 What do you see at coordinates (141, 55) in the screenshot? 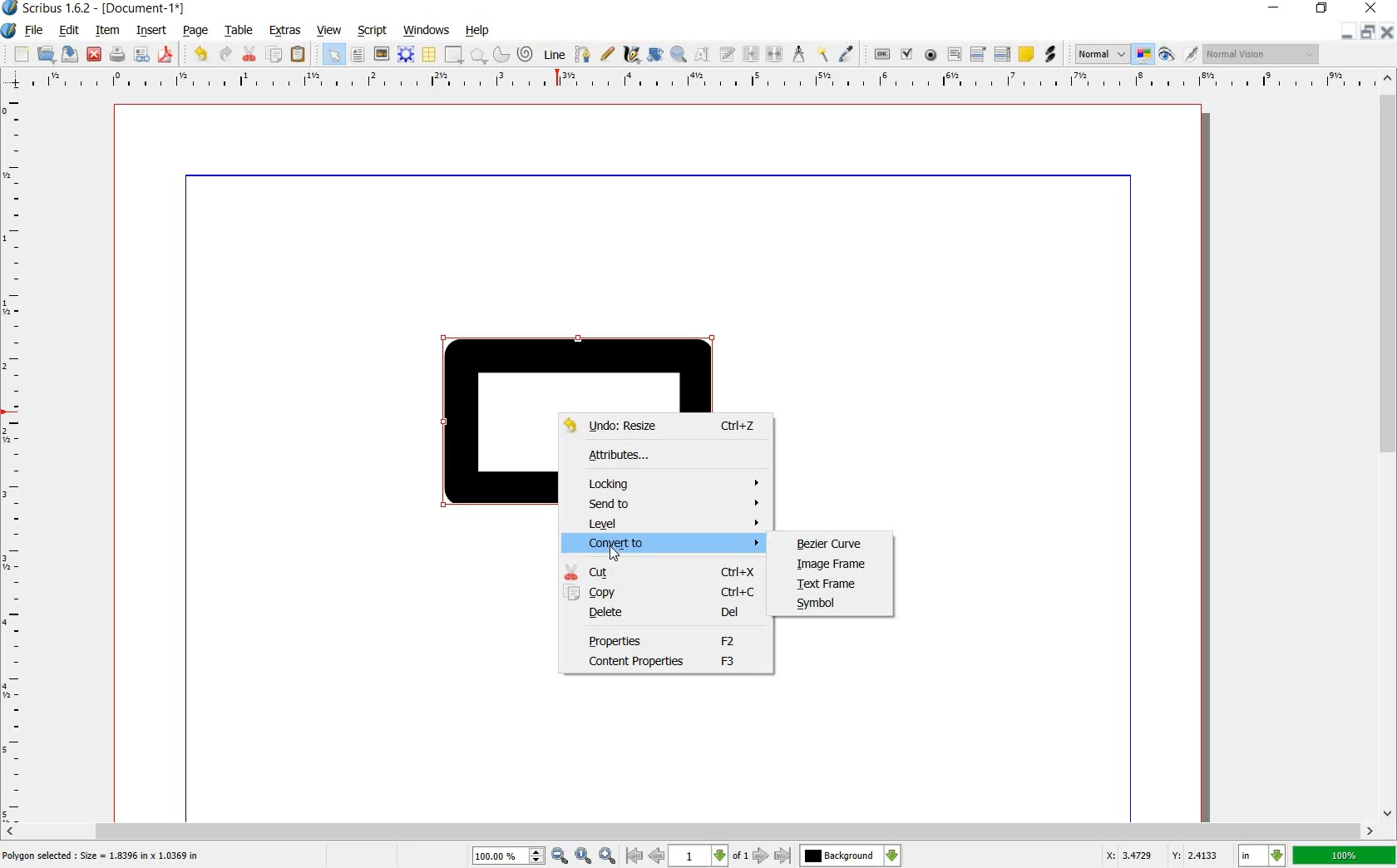
I see `preflight verifier` at bounding box center [141, 55].